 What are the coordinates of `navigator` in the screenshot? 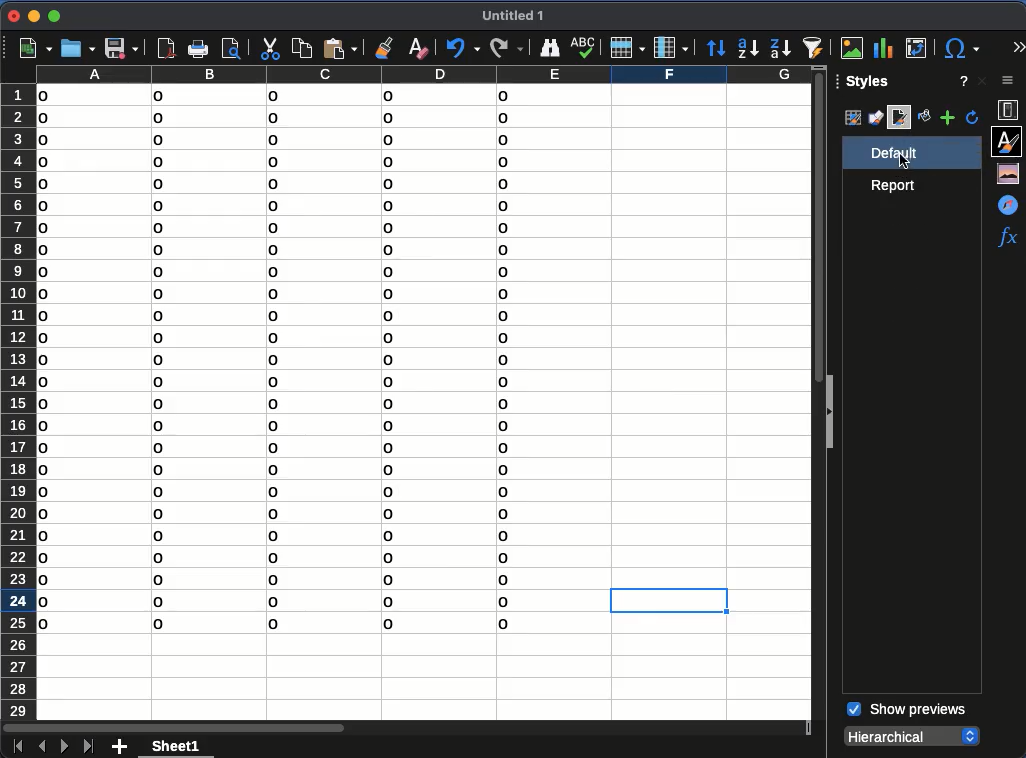 It's located at (1007, 204).